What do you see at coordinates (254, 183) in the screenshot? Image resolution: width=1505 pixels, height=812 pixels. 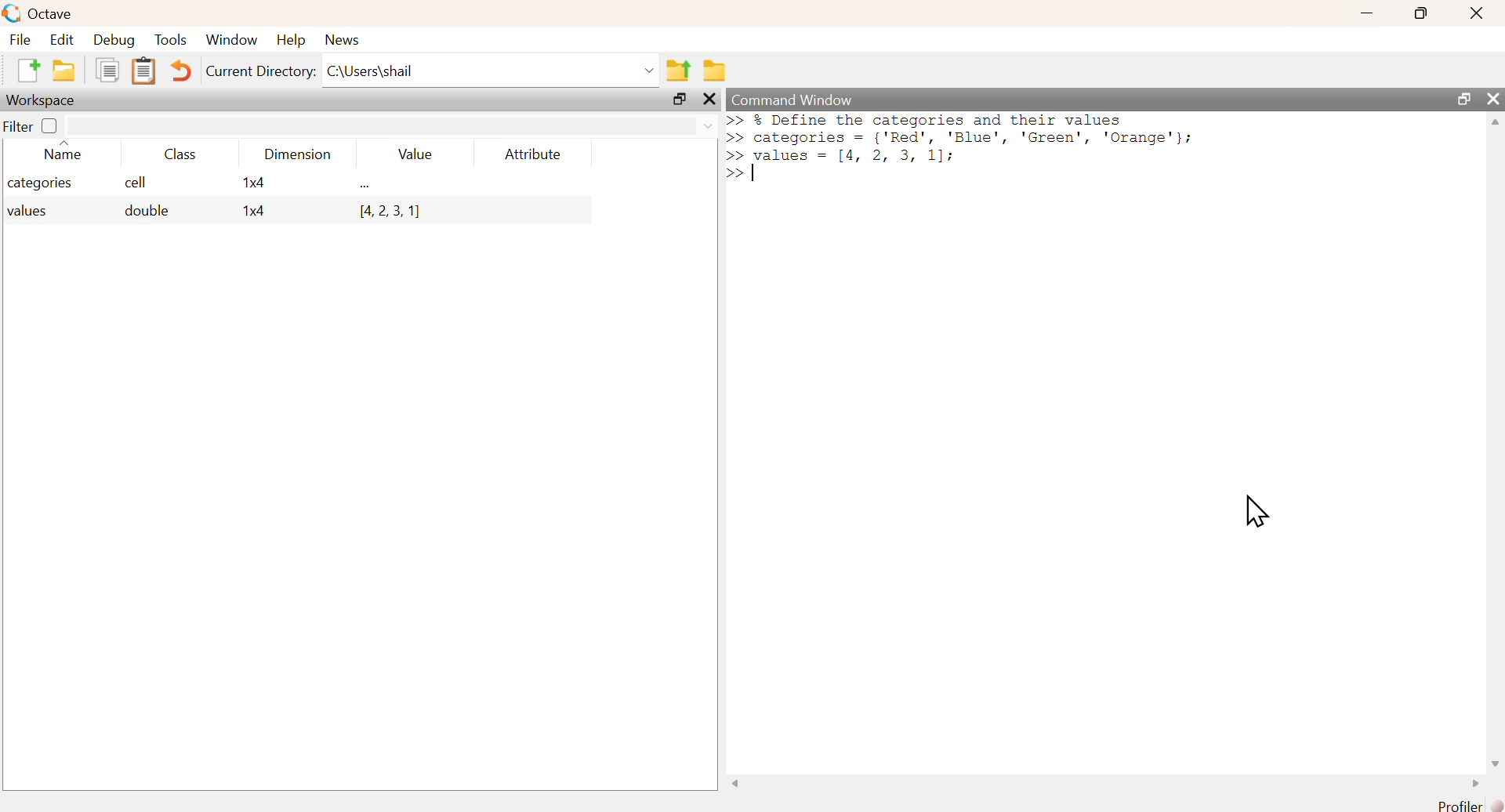 I see `1x4` at bounding box center [254, 183].